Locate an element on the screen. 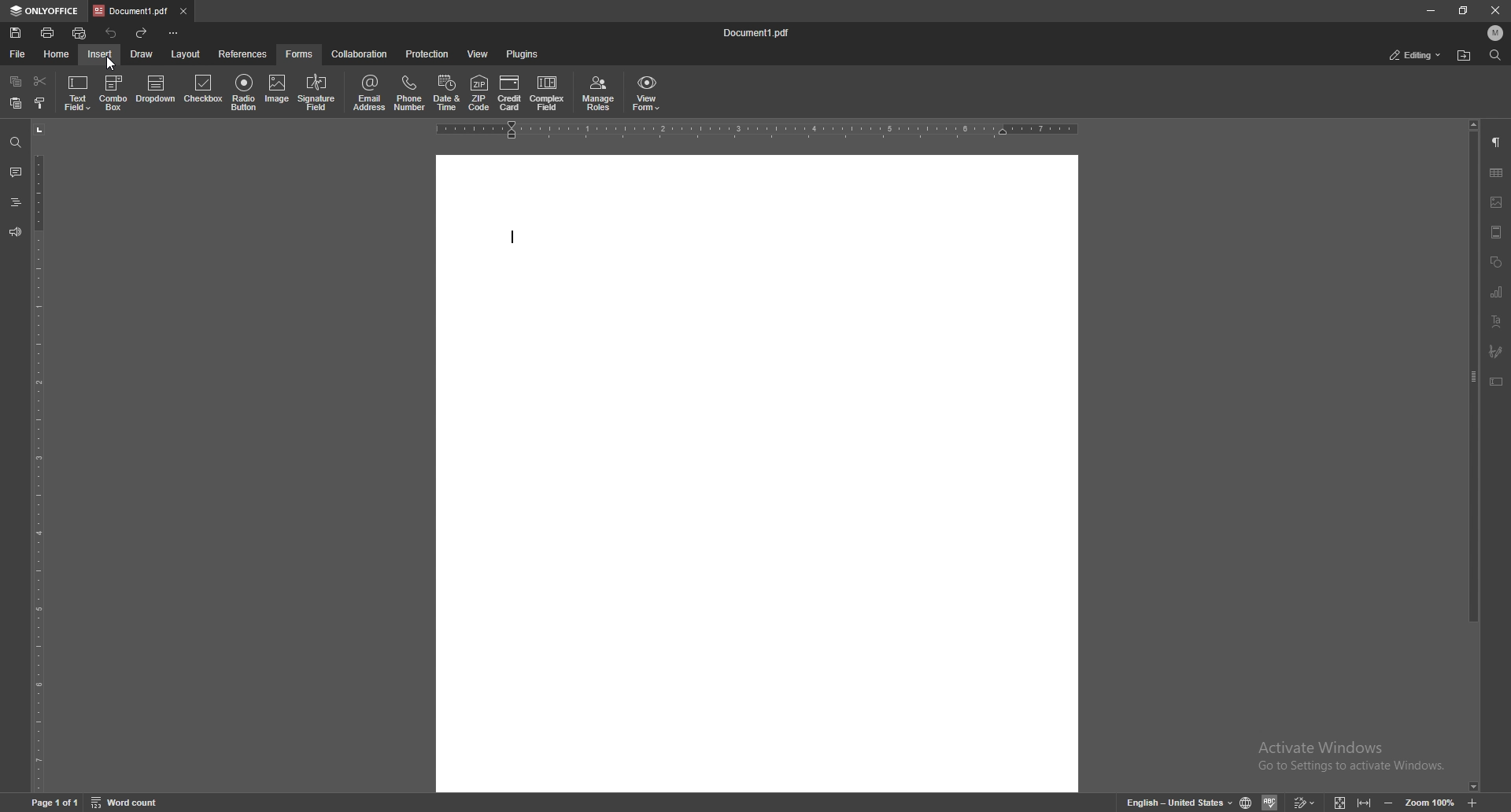 This screenshot has height=812, width=1511. combo box is located at coordinates (115, 91).